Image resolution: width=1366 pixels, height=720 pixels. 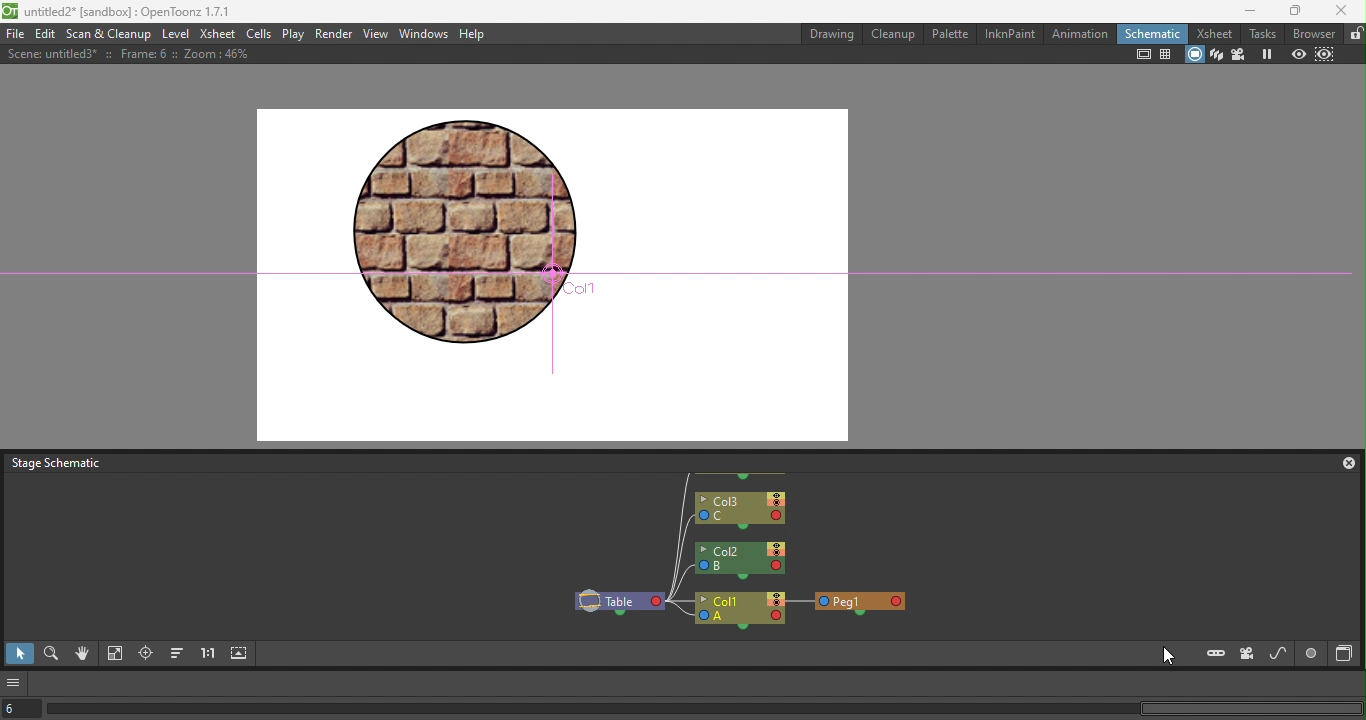 What do you see at coordinates (176, 35) in the screenshot?
I see `Level` at bounding box center [176, 35].